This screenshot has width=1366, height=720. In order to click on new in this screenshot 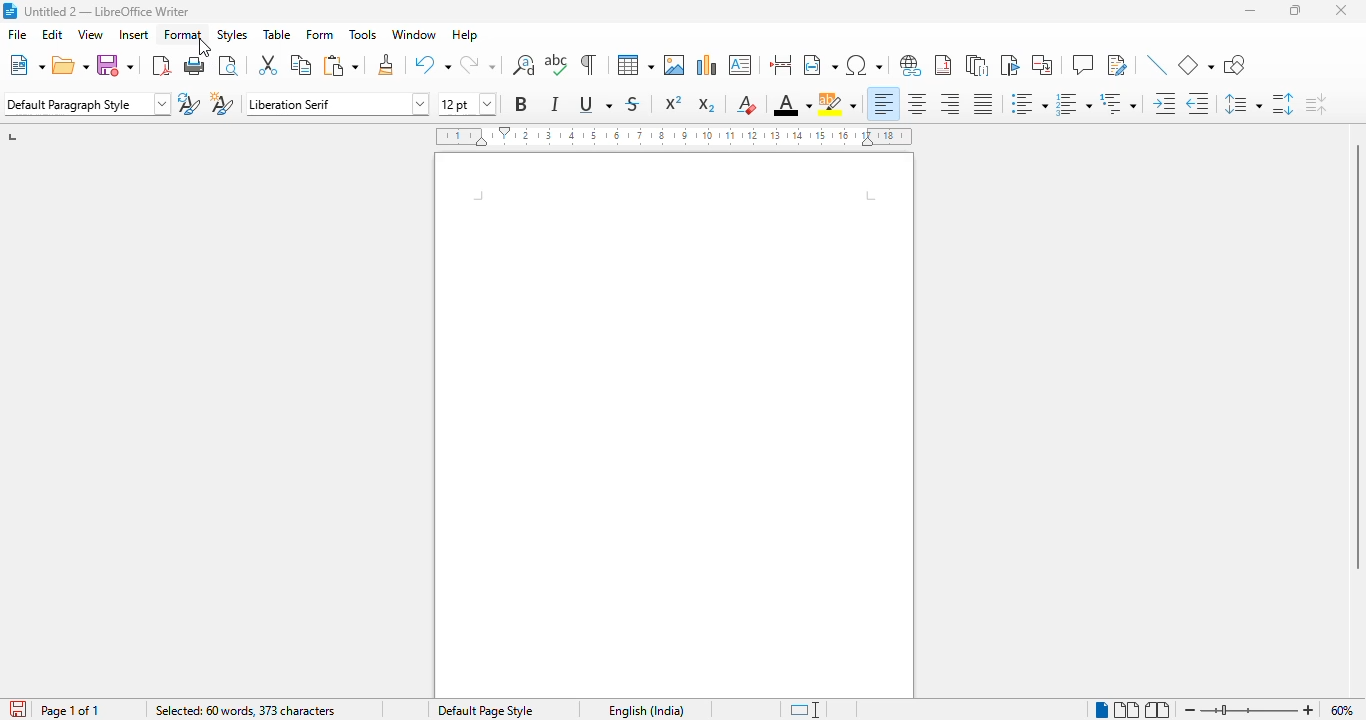, I will do `click(27, 65)`.